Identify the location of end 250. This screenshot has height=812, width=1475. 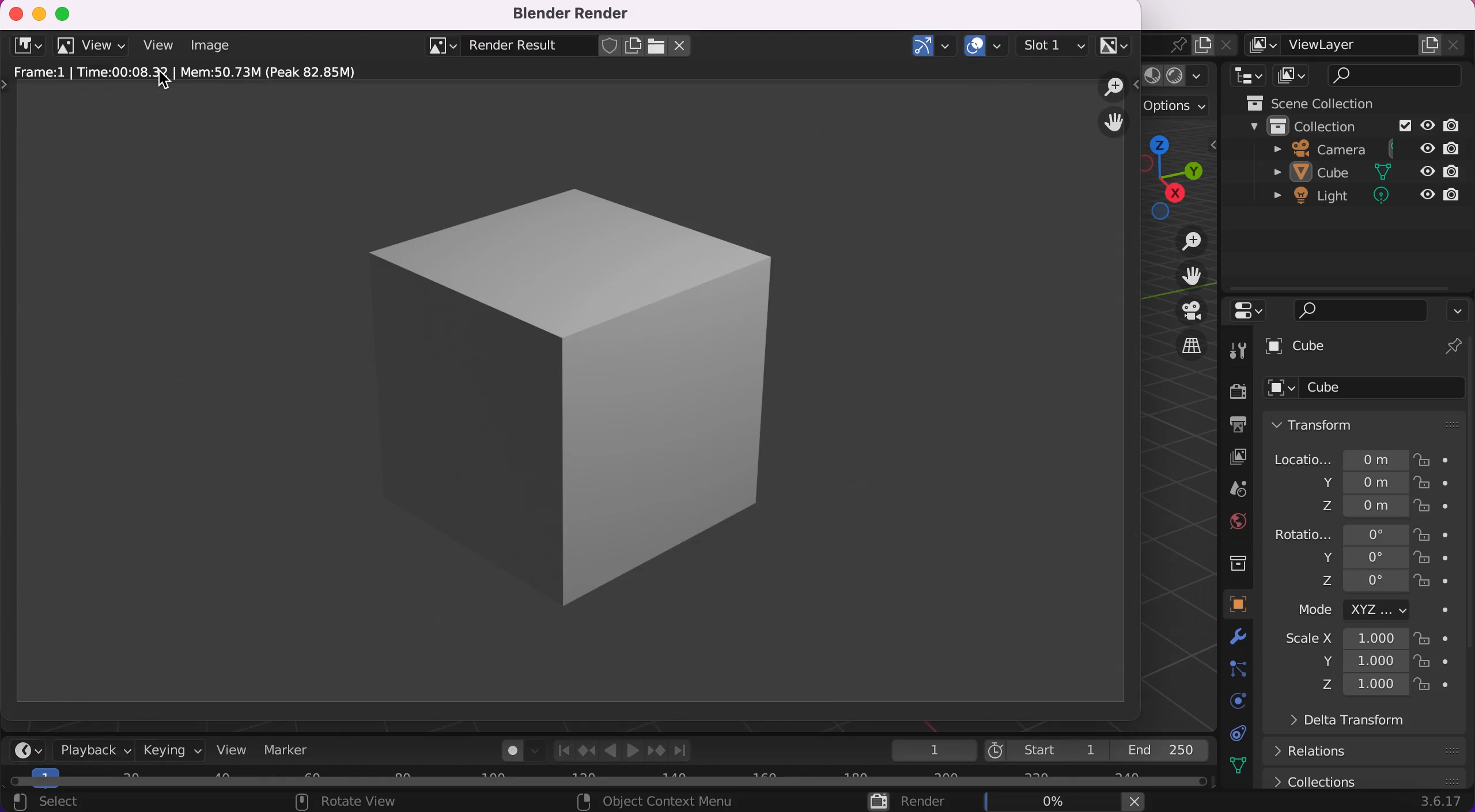
(1162, 751).